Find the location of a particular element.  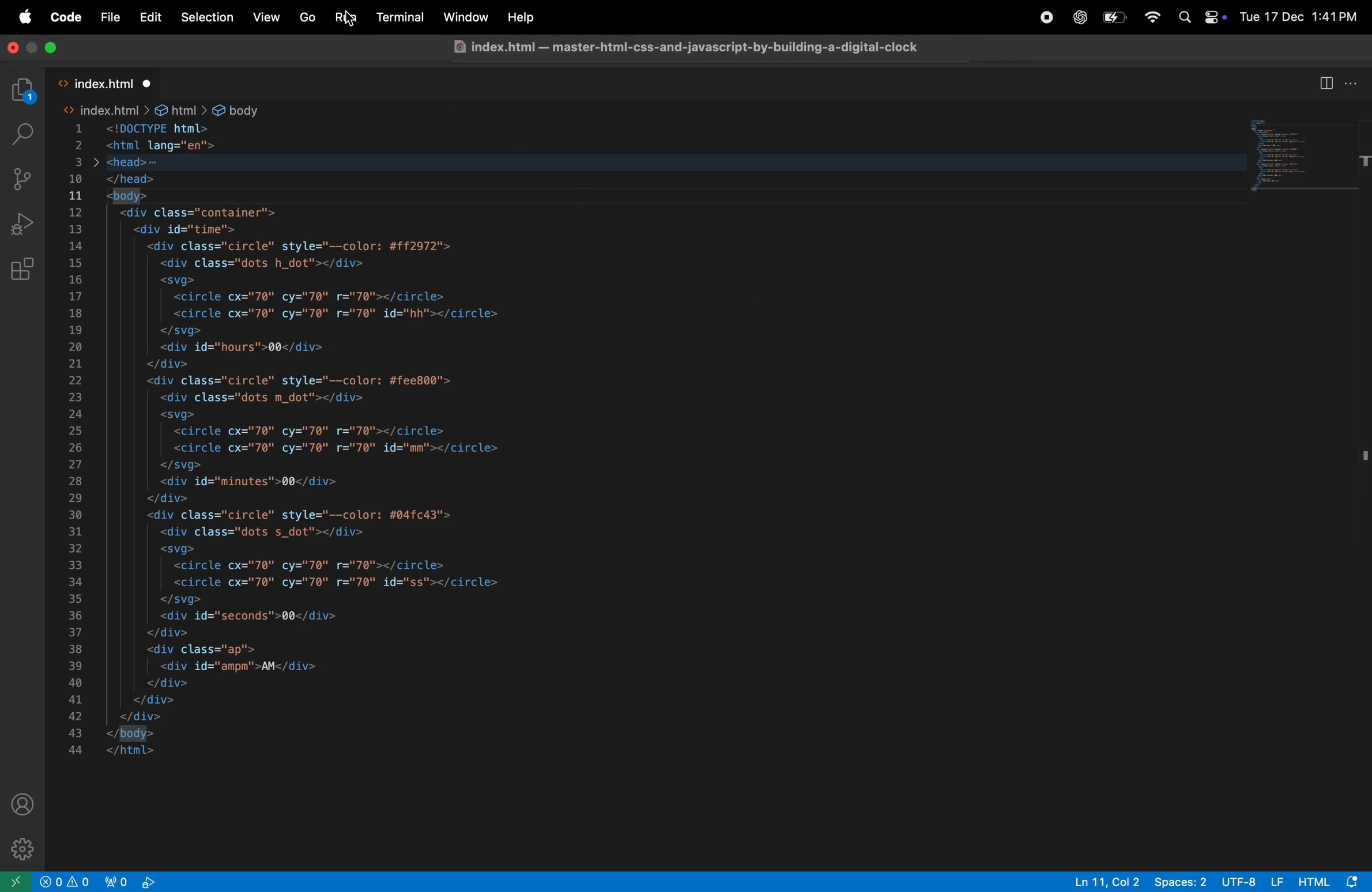

maximize is located at coordinates (54, 49).